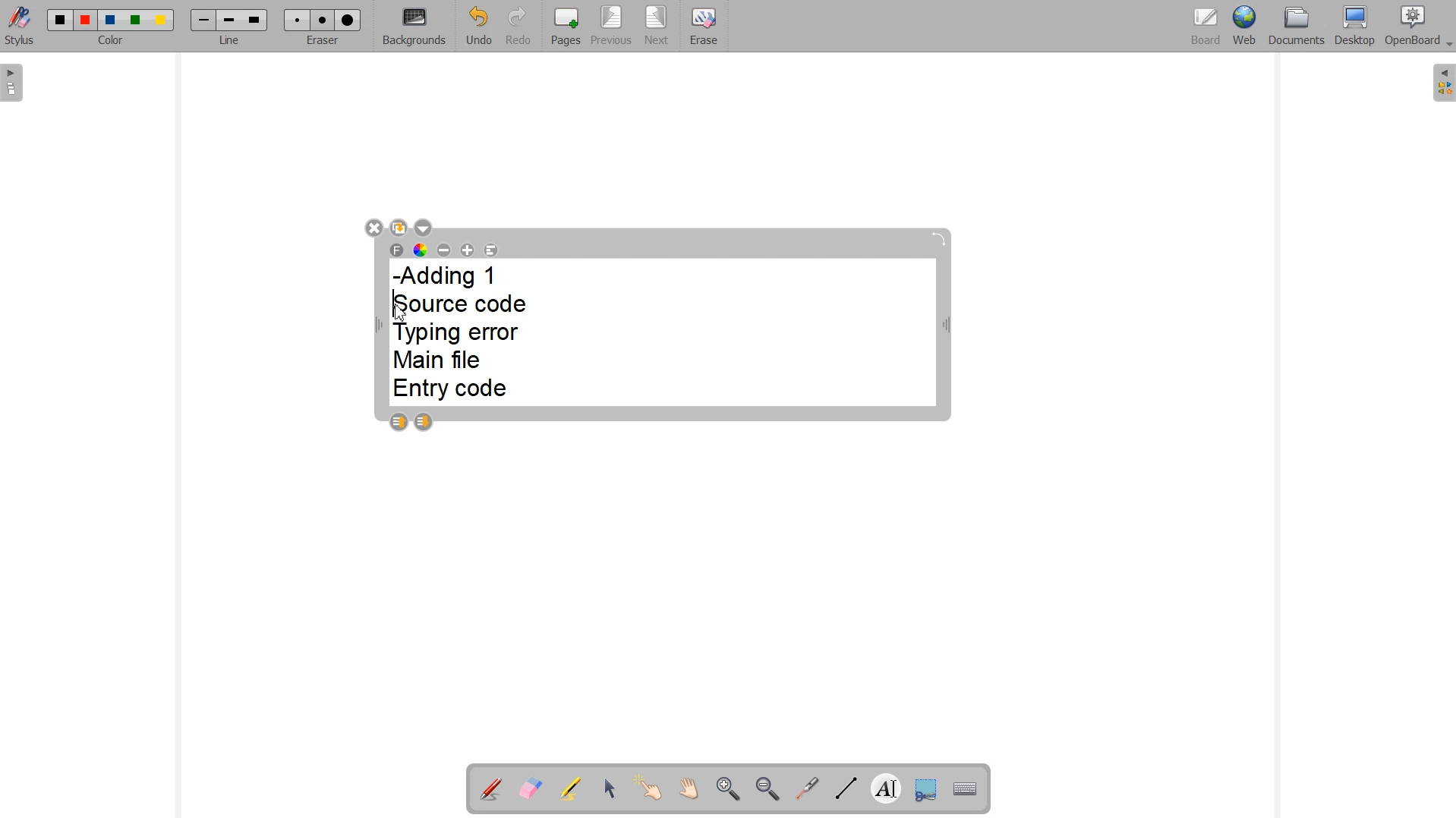  What do you see at coordinates (399, 227) in the screenshot?
I see `Duplicate` at bounding box center [399, 227].